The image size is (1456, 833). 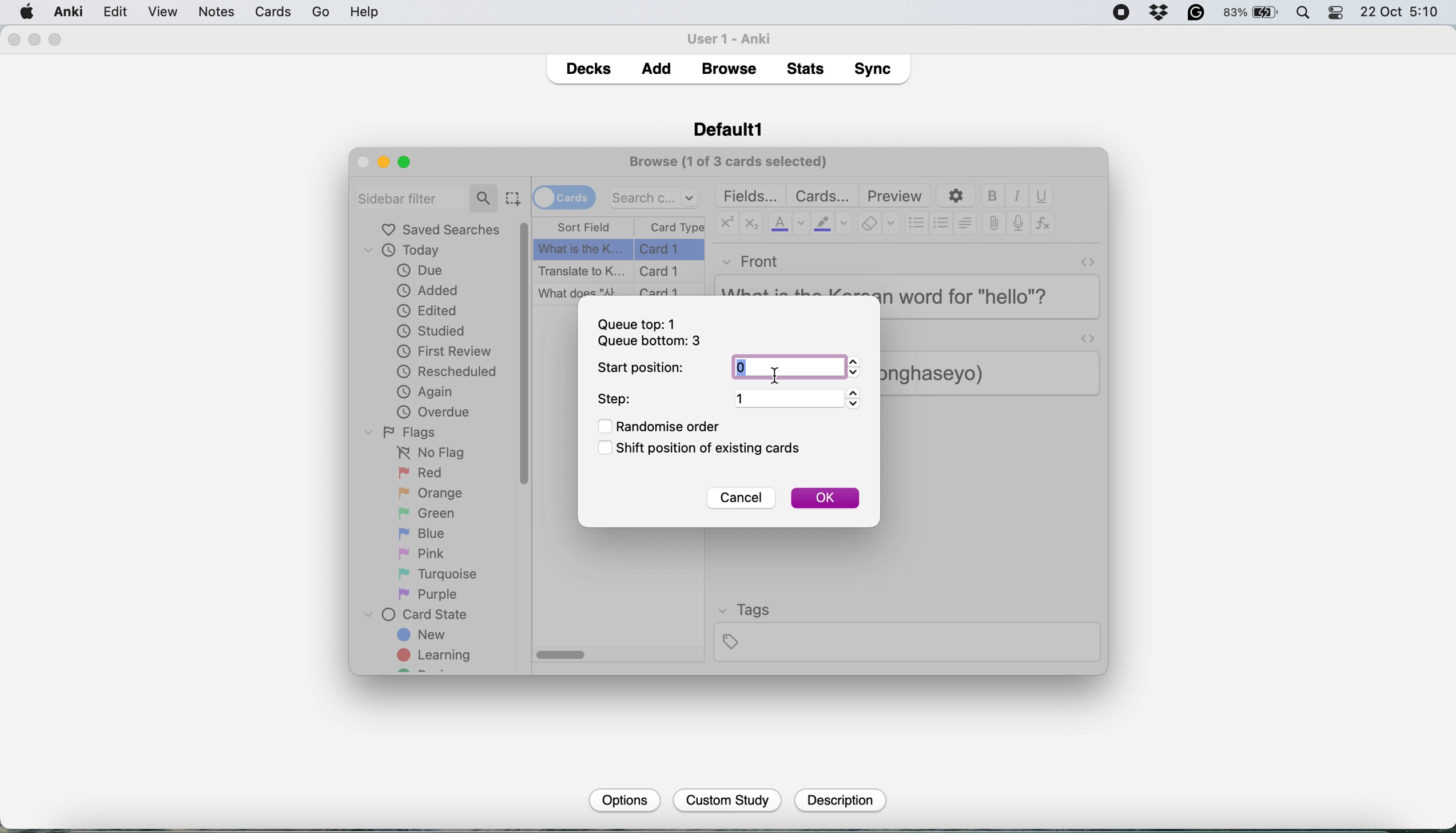 I want to click on learning, so click(x=438, y=657).